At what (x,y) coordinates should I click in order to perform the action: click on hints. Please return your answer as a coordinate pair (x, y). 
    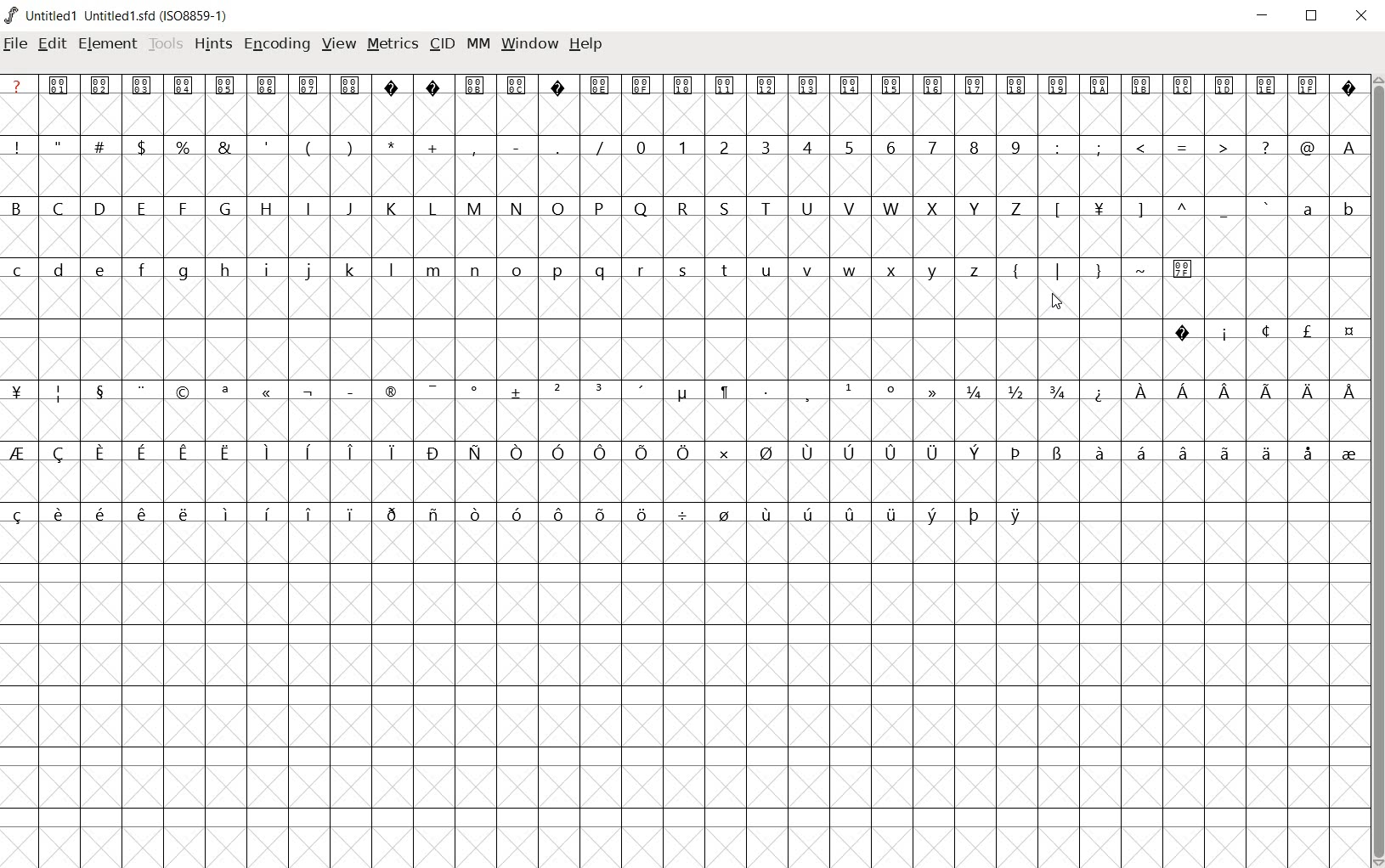
    Looking at the image, I should click on (213, 44).